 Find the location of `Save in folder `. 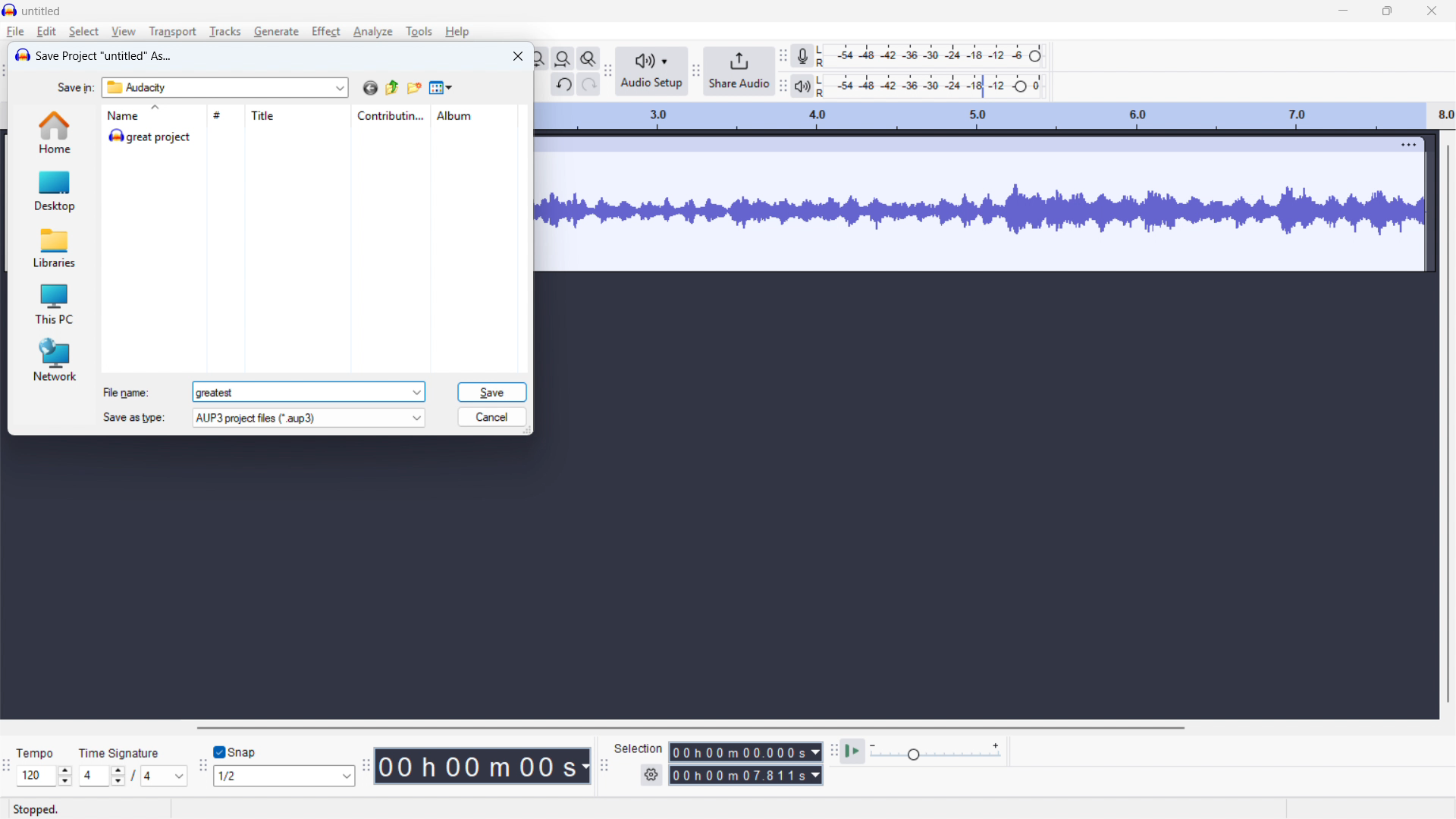

Save in folder  is located at coordinates (225, 88).